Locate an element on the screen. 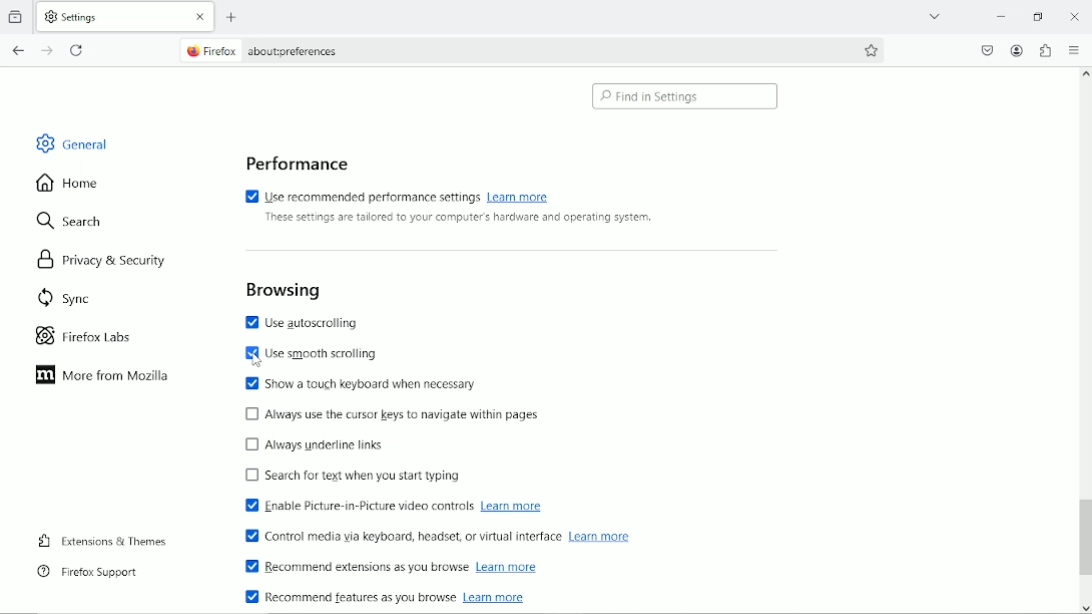 This screenshot has height=614, width=1092. home is located at coordinates (68, 182).